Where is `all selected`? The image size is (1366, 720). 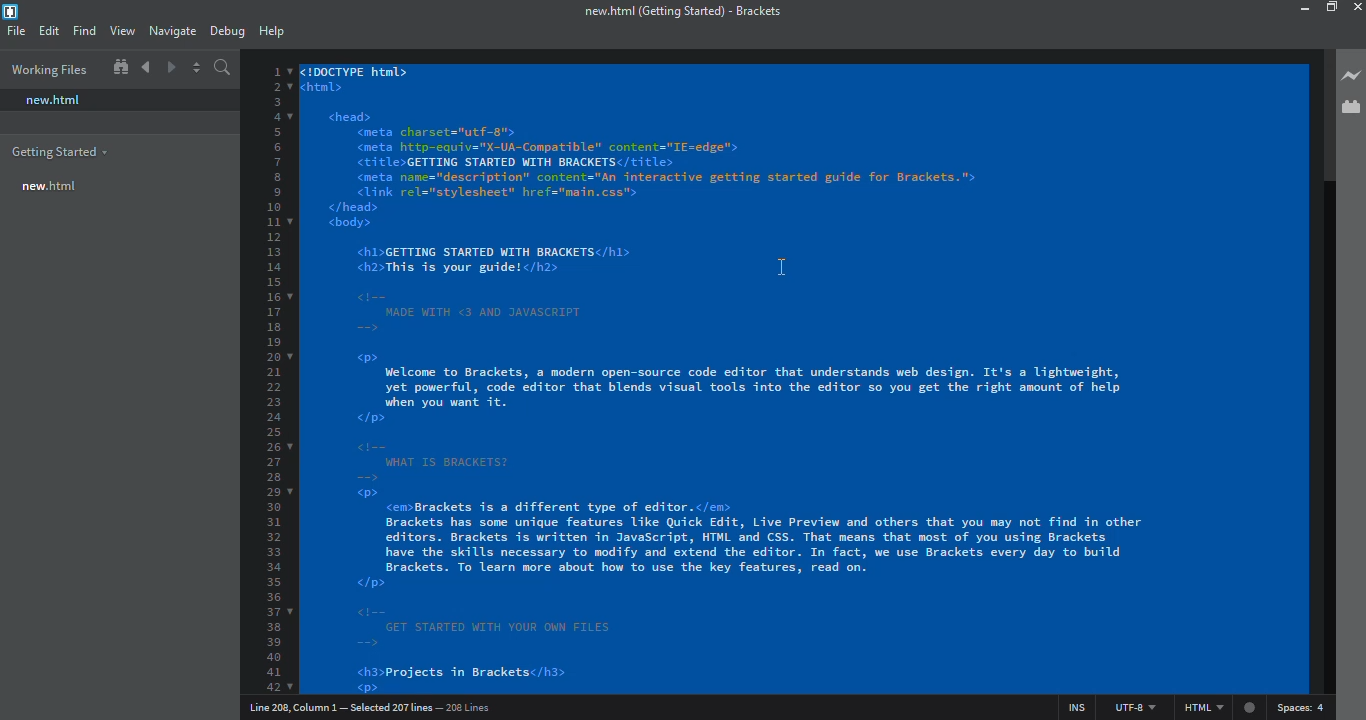
all selected is located at coordinates (781, 374).